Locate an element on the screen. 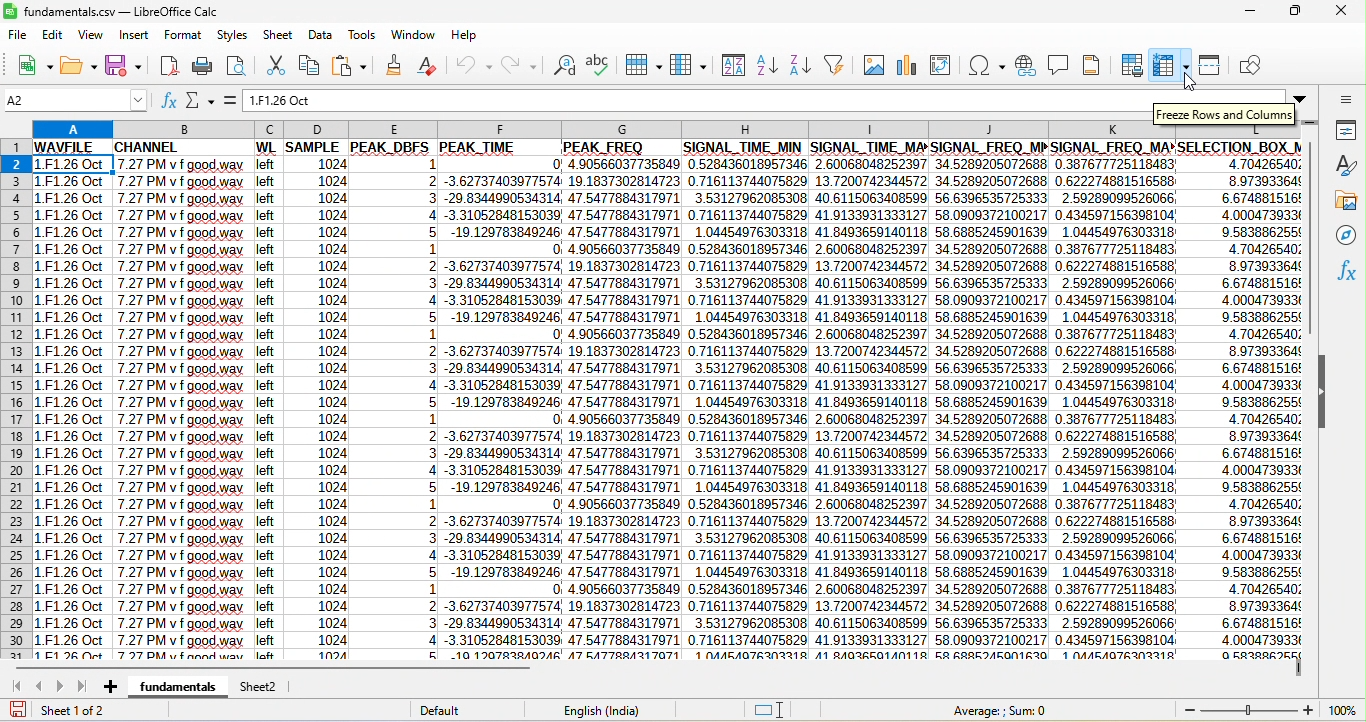 The width and height of the screenshot is (1366, 722). clone formatting is located at coordinates (394, 65).